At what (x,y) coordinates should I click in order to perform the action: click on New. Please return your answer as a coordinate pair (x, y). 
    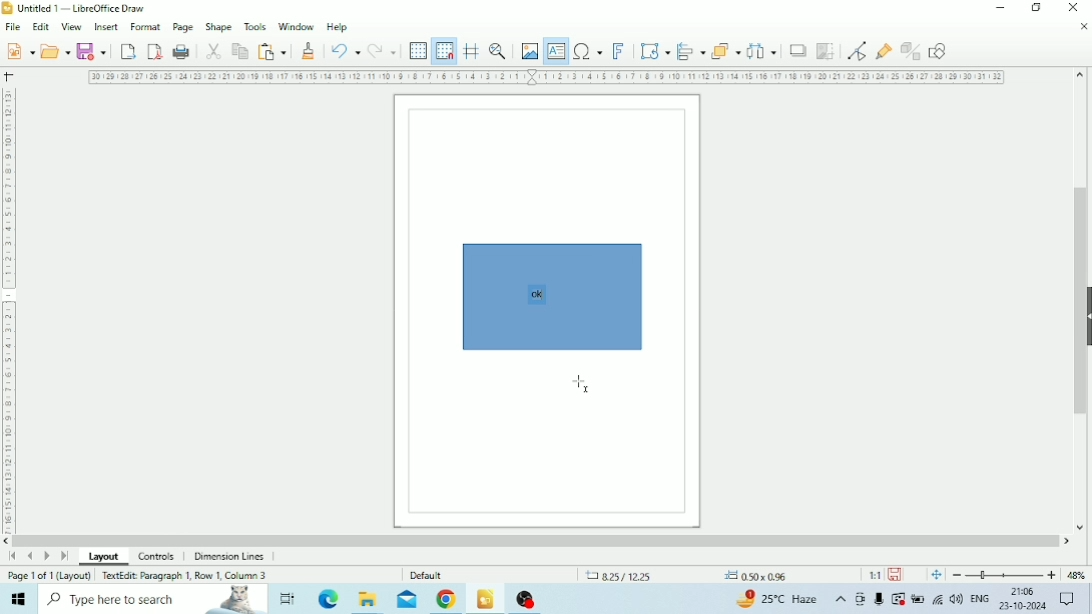
    Looking at the image, I should click on (18, 51).